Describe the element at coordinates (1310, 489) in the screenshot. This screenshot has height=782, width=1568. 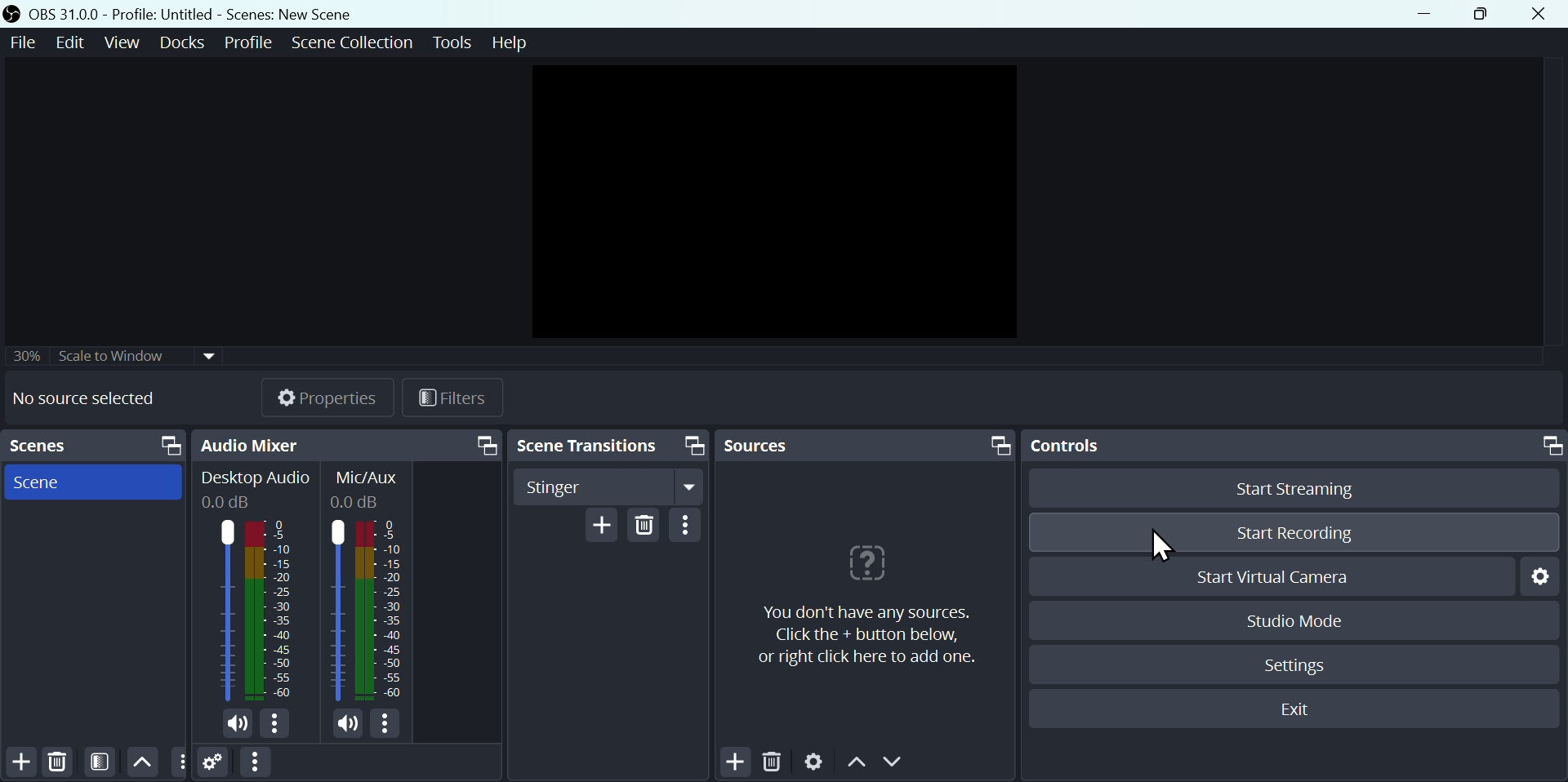
I see `Start streaming ` at that location.